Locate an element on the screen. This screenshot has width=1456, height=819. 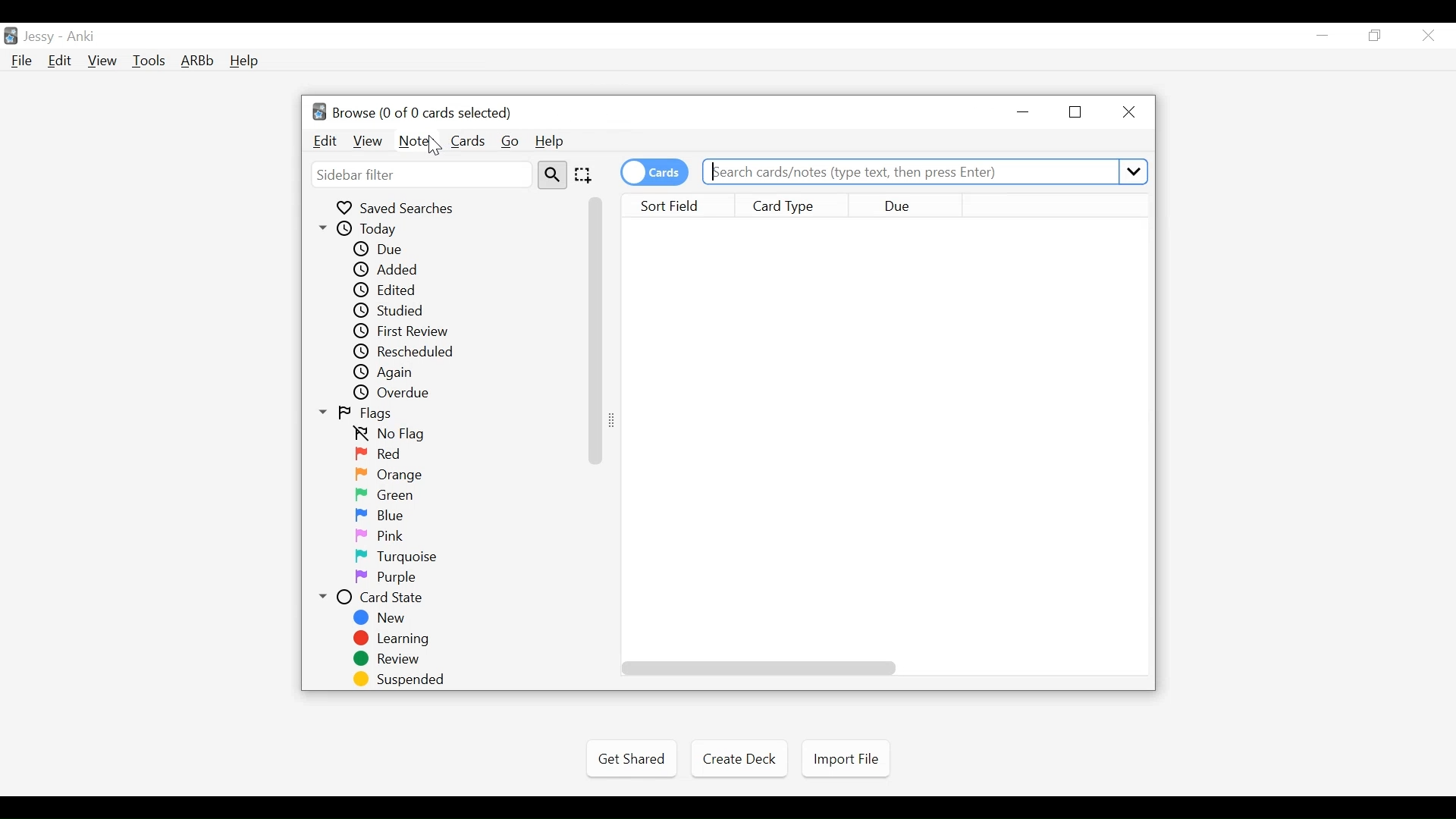
Card Type is located at coordinates (792, 205).